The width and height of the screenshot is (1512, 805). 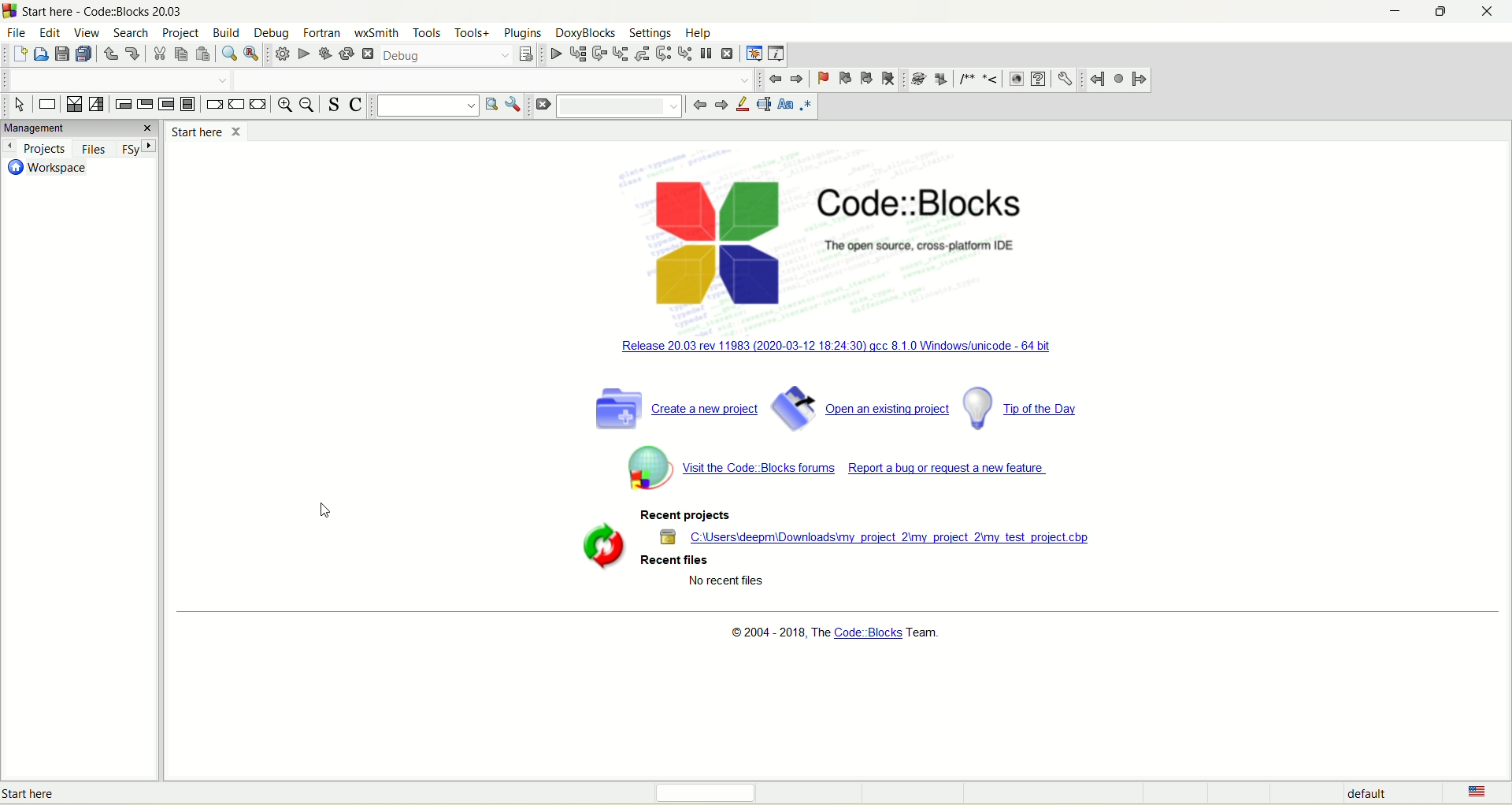 What do you see at coordinates (145, 105) in the screenshot?
I see `exit condition loop` at bounding box center [145, 105].